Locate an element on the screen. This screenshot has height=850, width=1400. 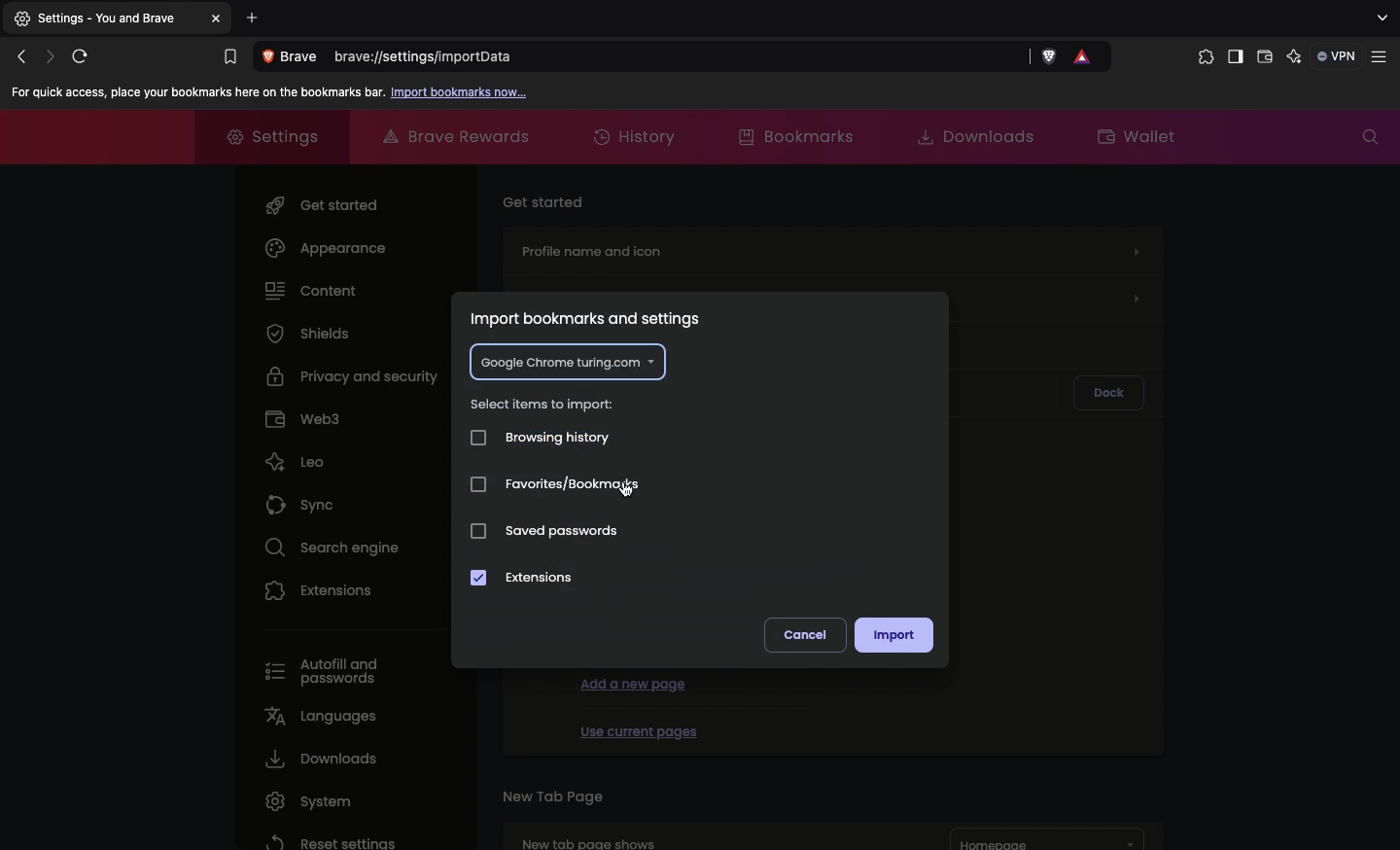
Select items to impact is located at coordinates (544, 405).